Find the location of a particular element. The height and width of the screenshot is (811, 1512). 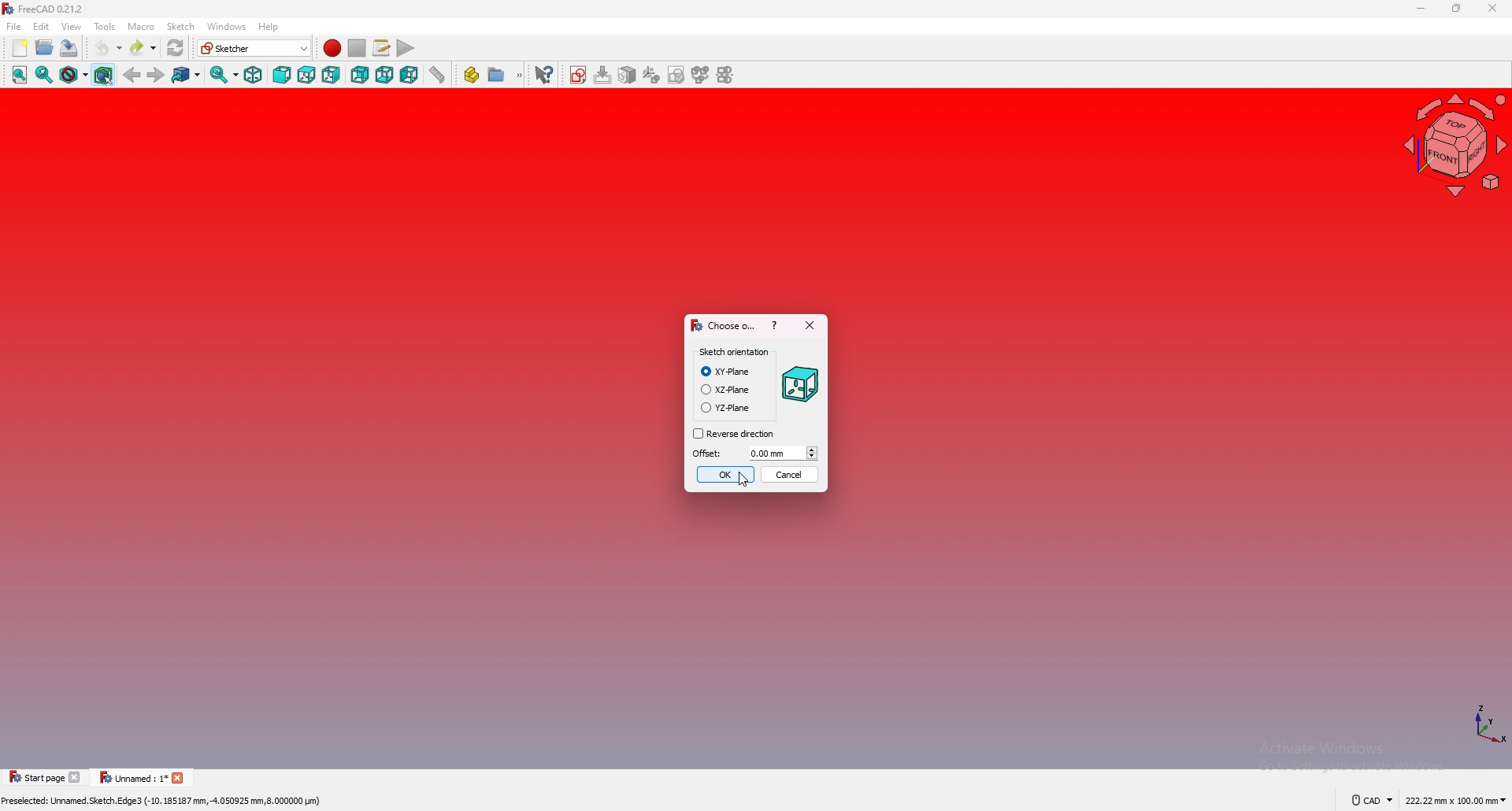

reorient sketch is located at coordinates (652, 74).